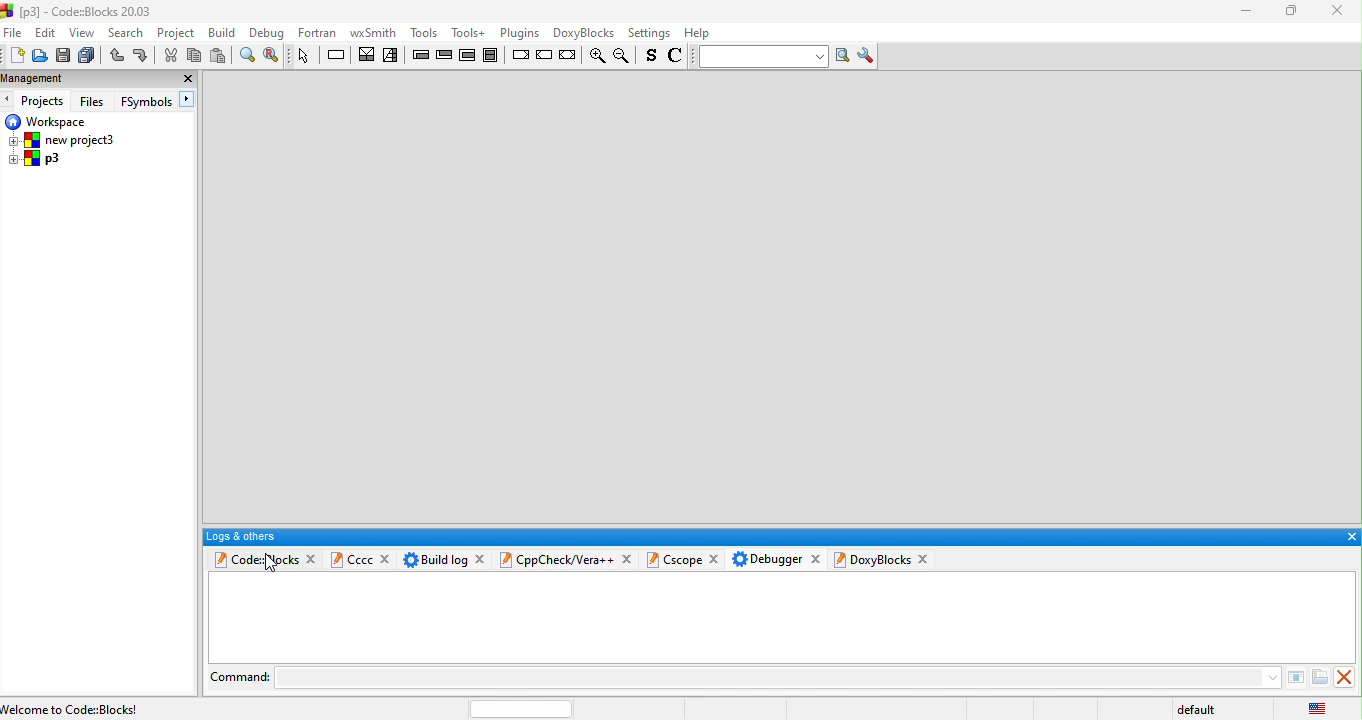  Describe the element at coordinates (652, 57) in the screenshot. I see `toggle source` at that location.